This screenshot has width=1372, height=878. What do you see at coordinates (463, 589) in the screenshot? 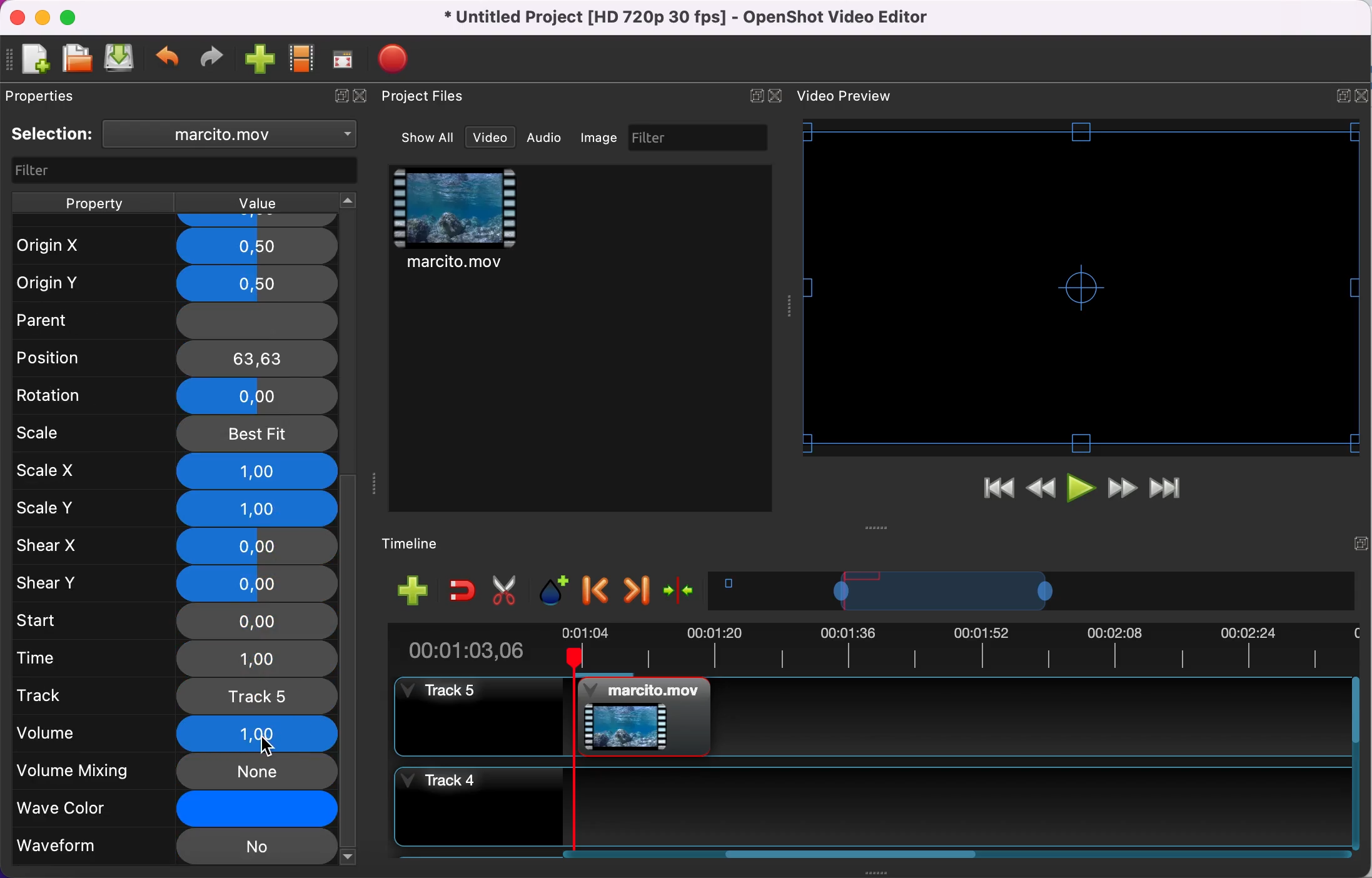
I see `enable snapping` at bounding box center [463, 589].